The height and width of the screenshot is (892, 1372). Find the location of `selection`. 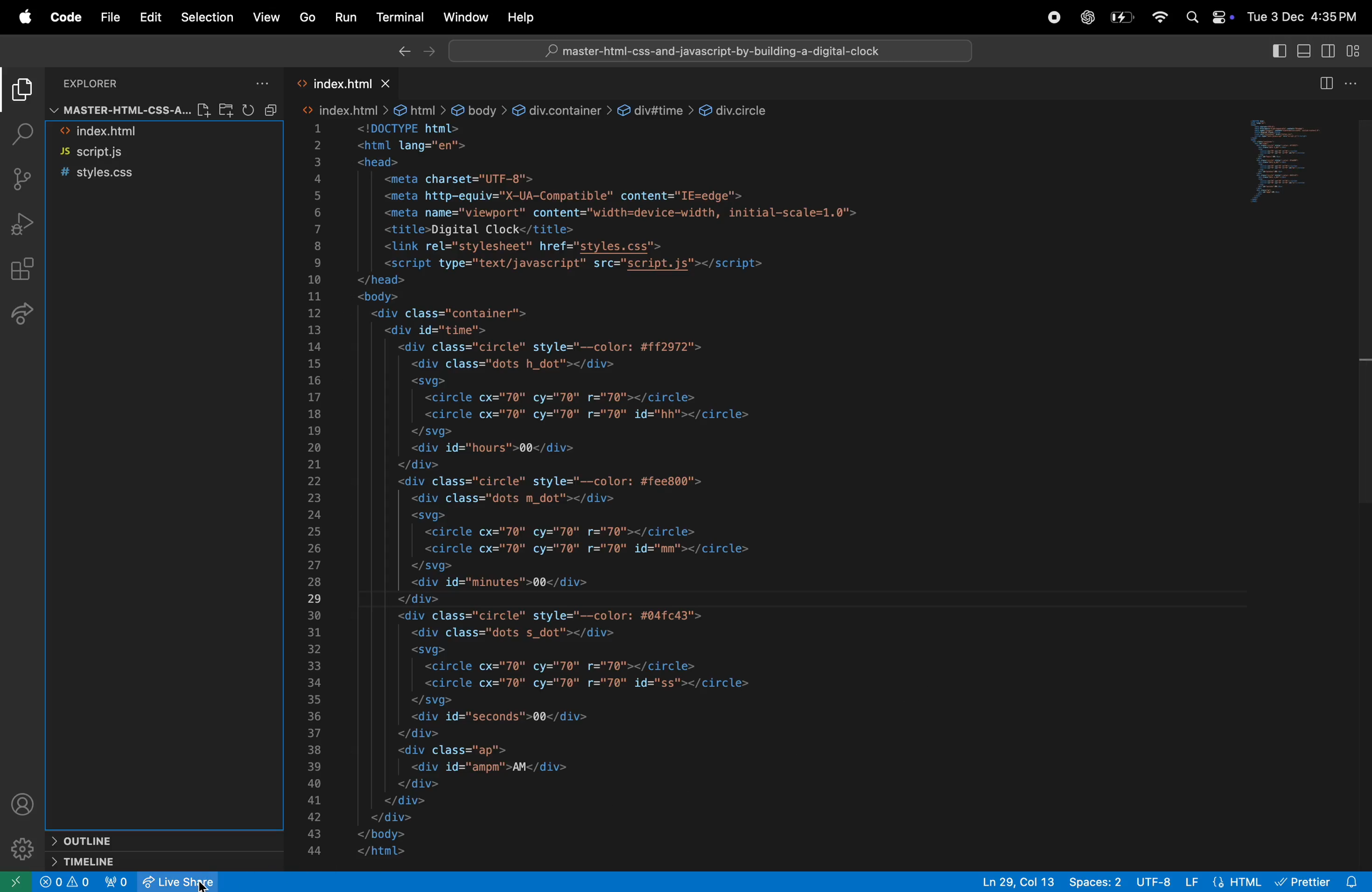

selection is located at coordinates (205, 17).